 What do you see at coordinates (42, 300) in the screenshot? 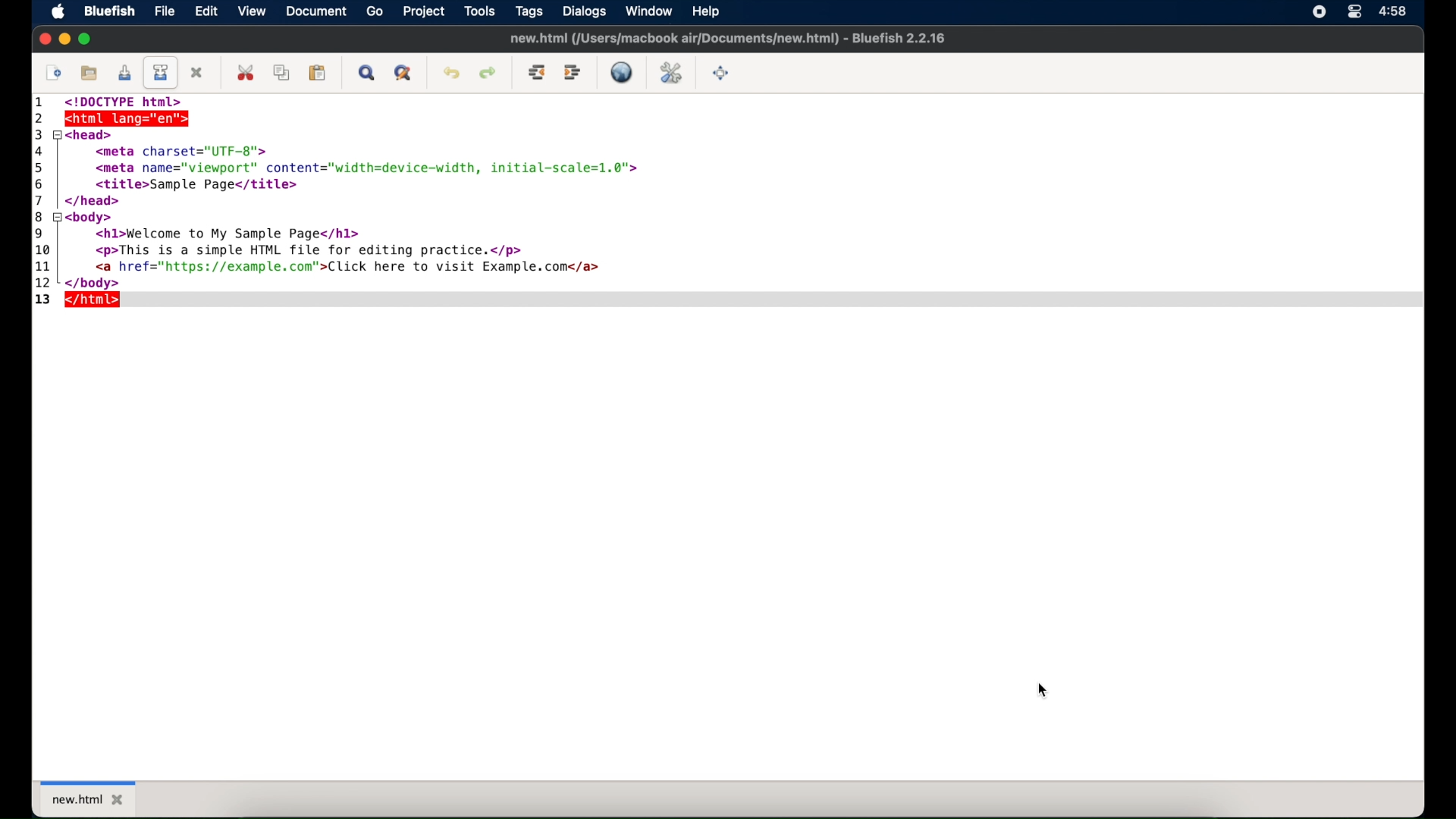
I see `13` at bounding box center [42, 300].